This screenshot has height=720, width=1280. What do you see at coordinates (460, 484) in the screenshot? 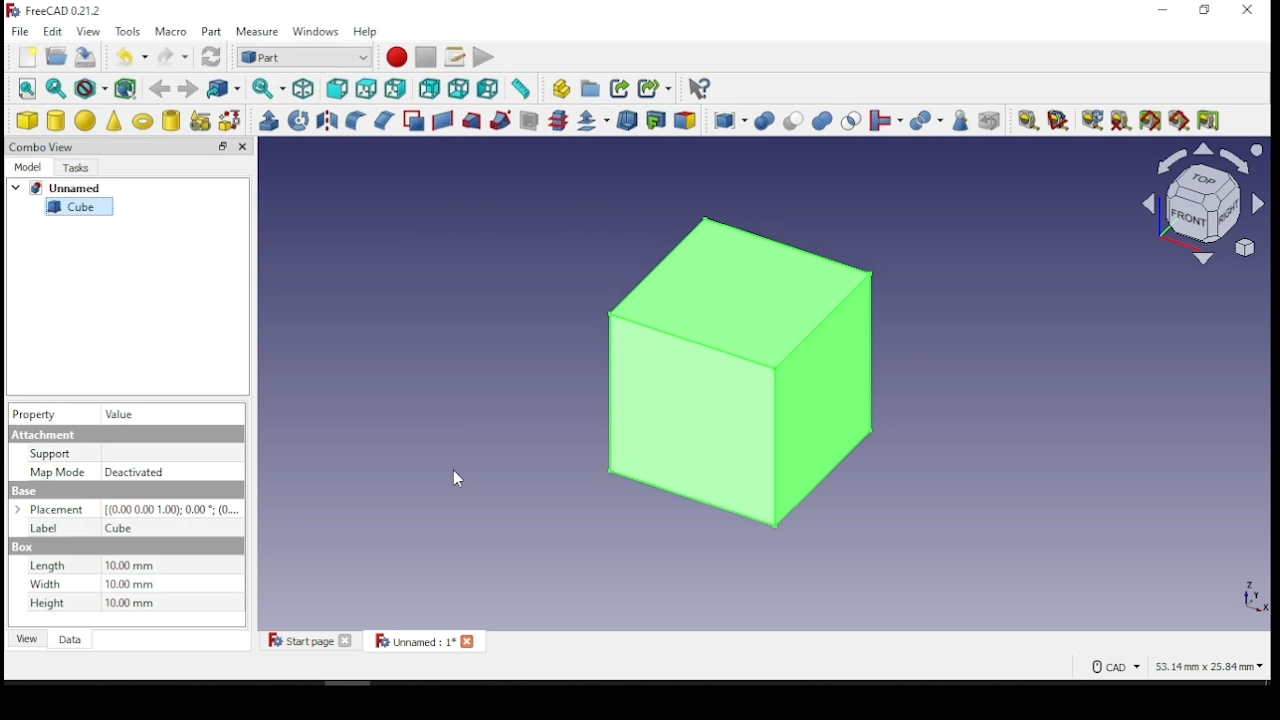
I see `mouse pointer` at bounding box center [460, 484].